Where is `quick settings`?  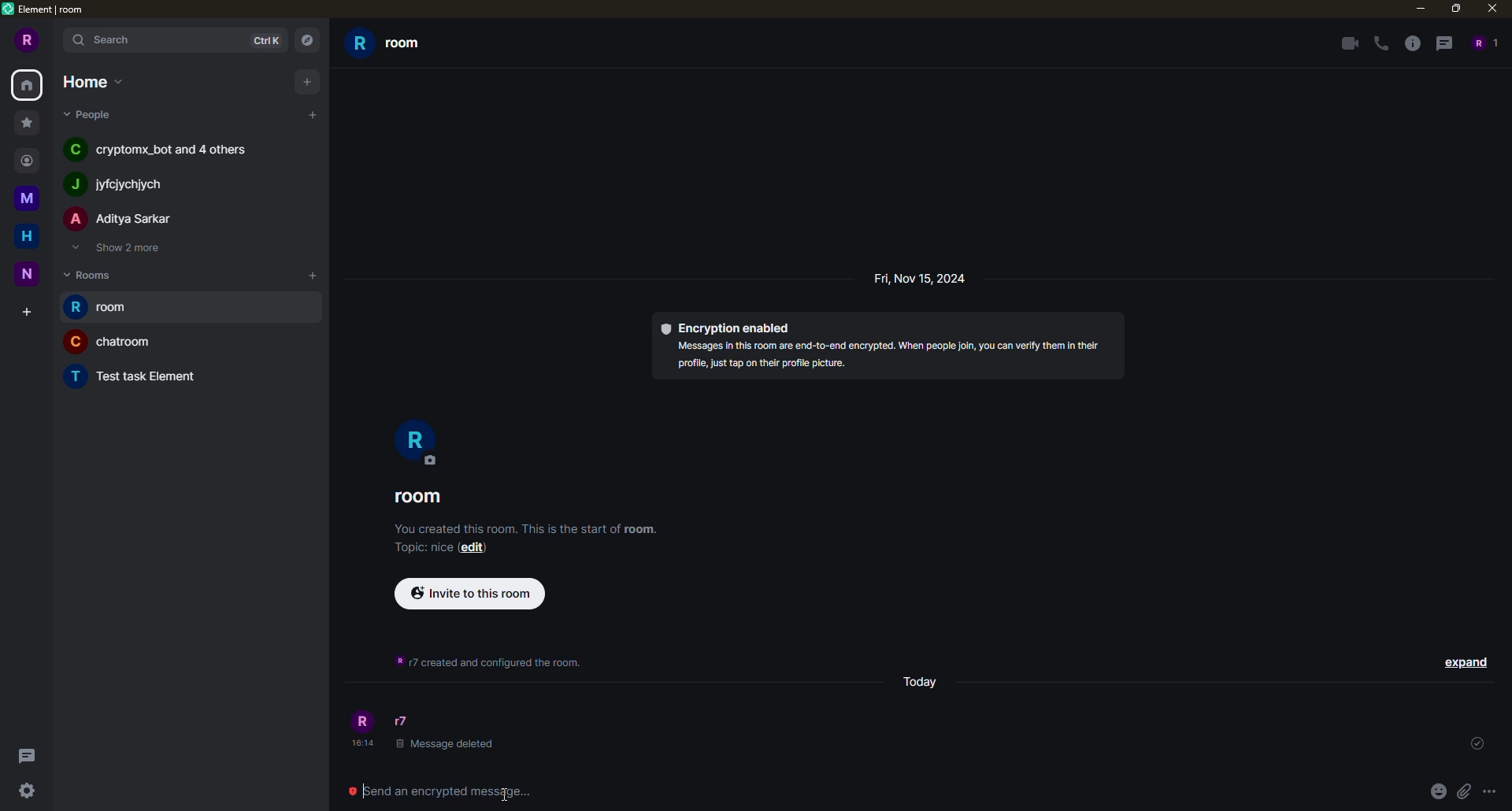
quick settings is located at coordinates (27, 789).